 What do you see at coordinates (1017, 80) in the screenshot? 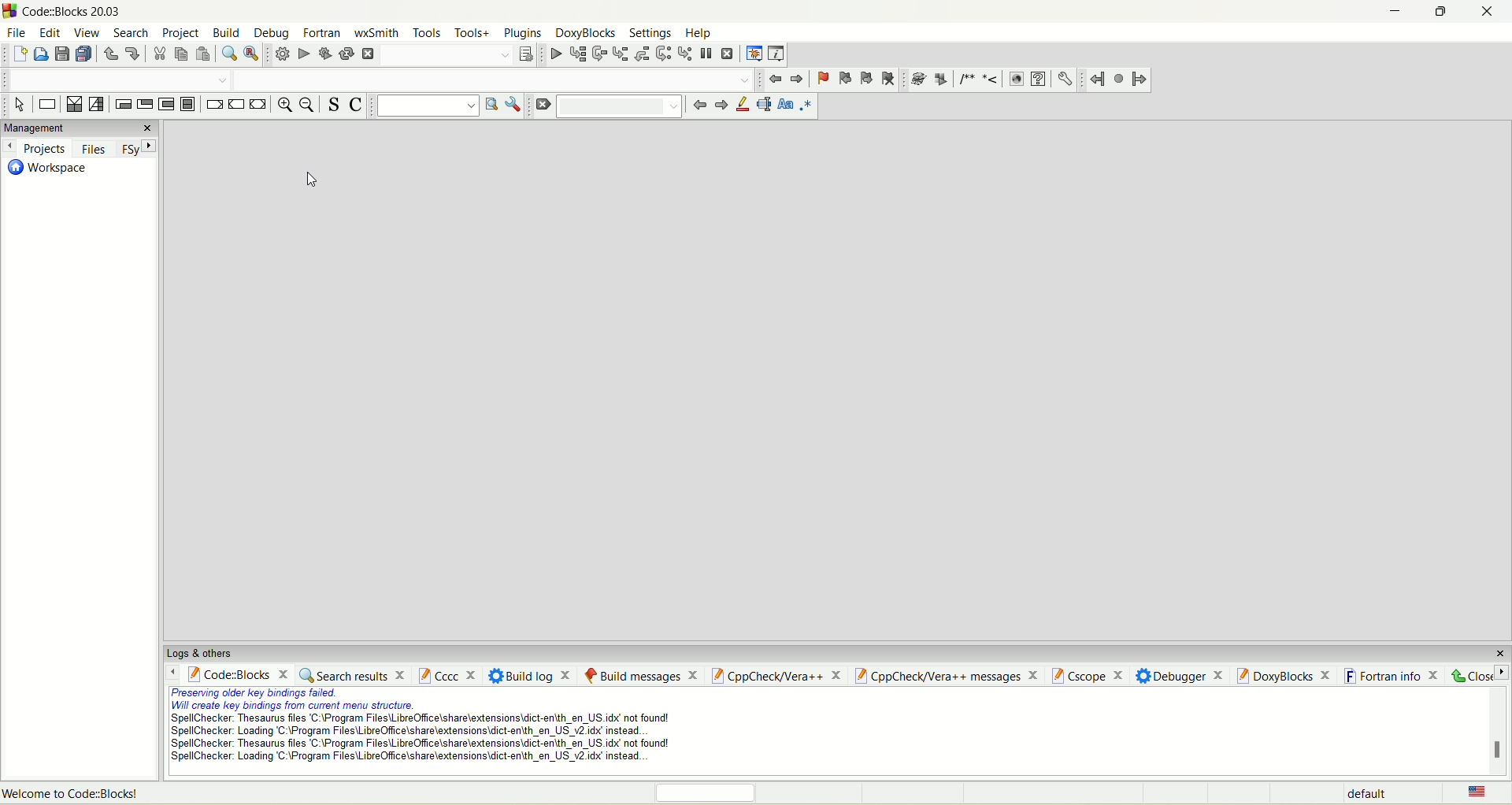
I see `web` at bounding box center [1017, 80].